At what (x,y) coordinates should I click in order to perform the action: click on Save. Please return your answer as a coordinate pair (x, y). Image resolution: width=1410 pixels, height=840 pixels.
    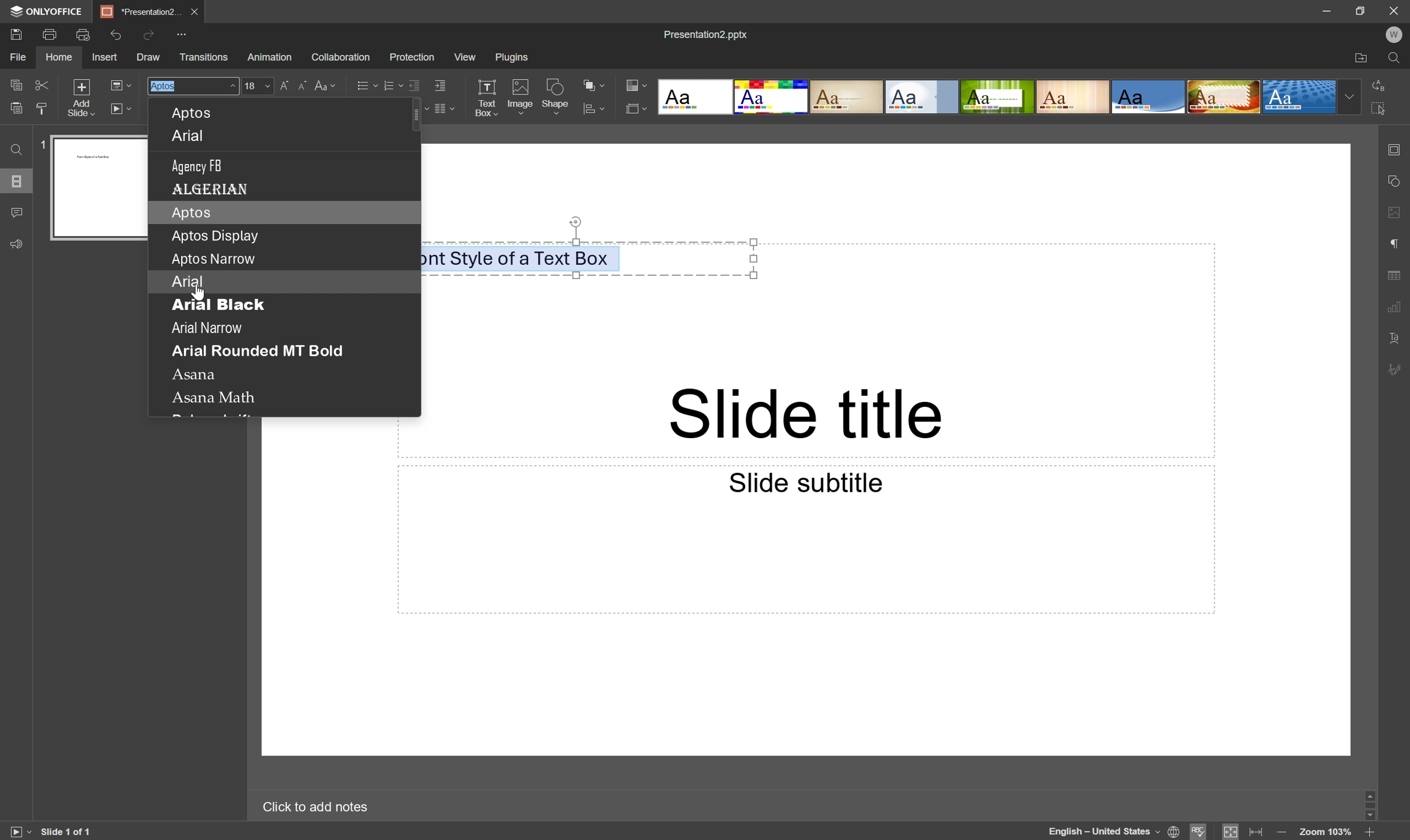
    Looking at the image, I should click on (17, 34).